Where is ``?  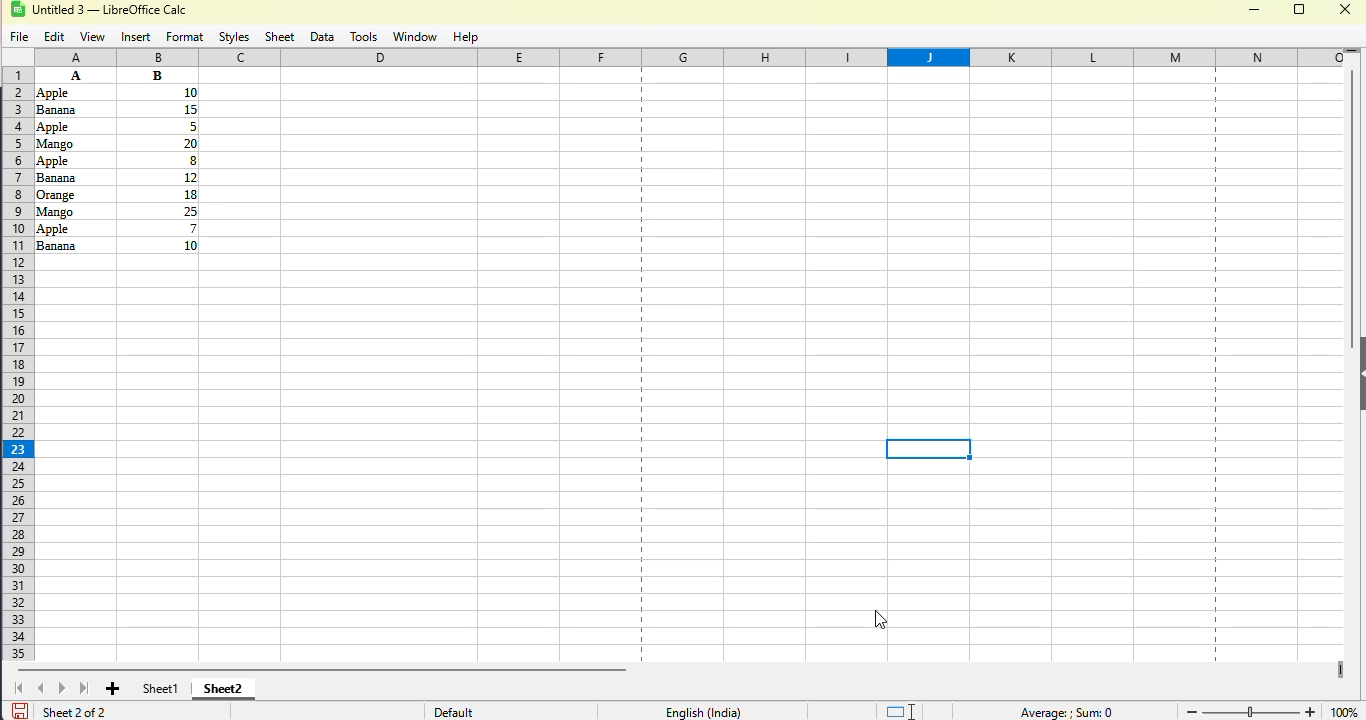
 is located at coordinates (159, 211).